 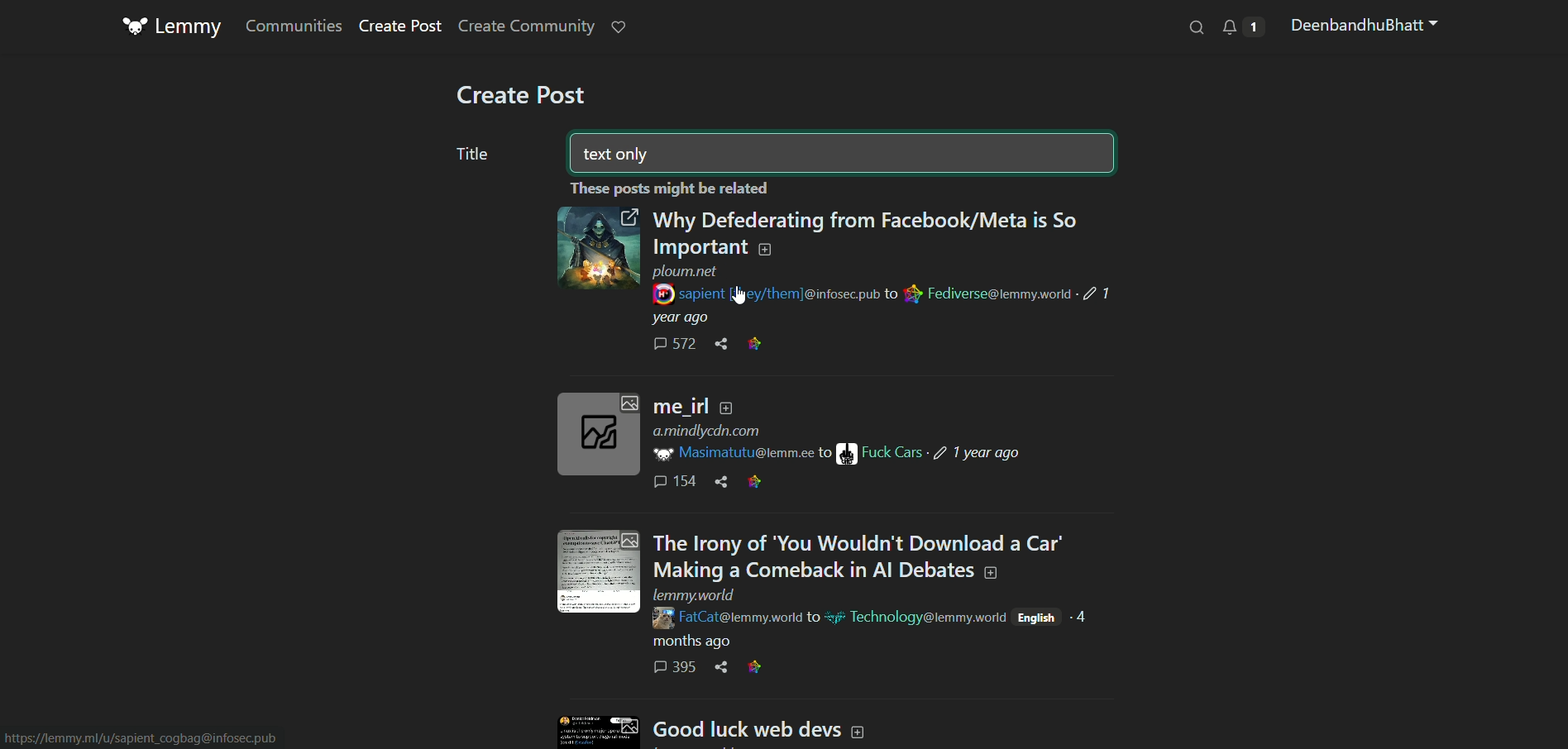 I want to click on Profile pic of FatCat, so click(x=662, y=618).